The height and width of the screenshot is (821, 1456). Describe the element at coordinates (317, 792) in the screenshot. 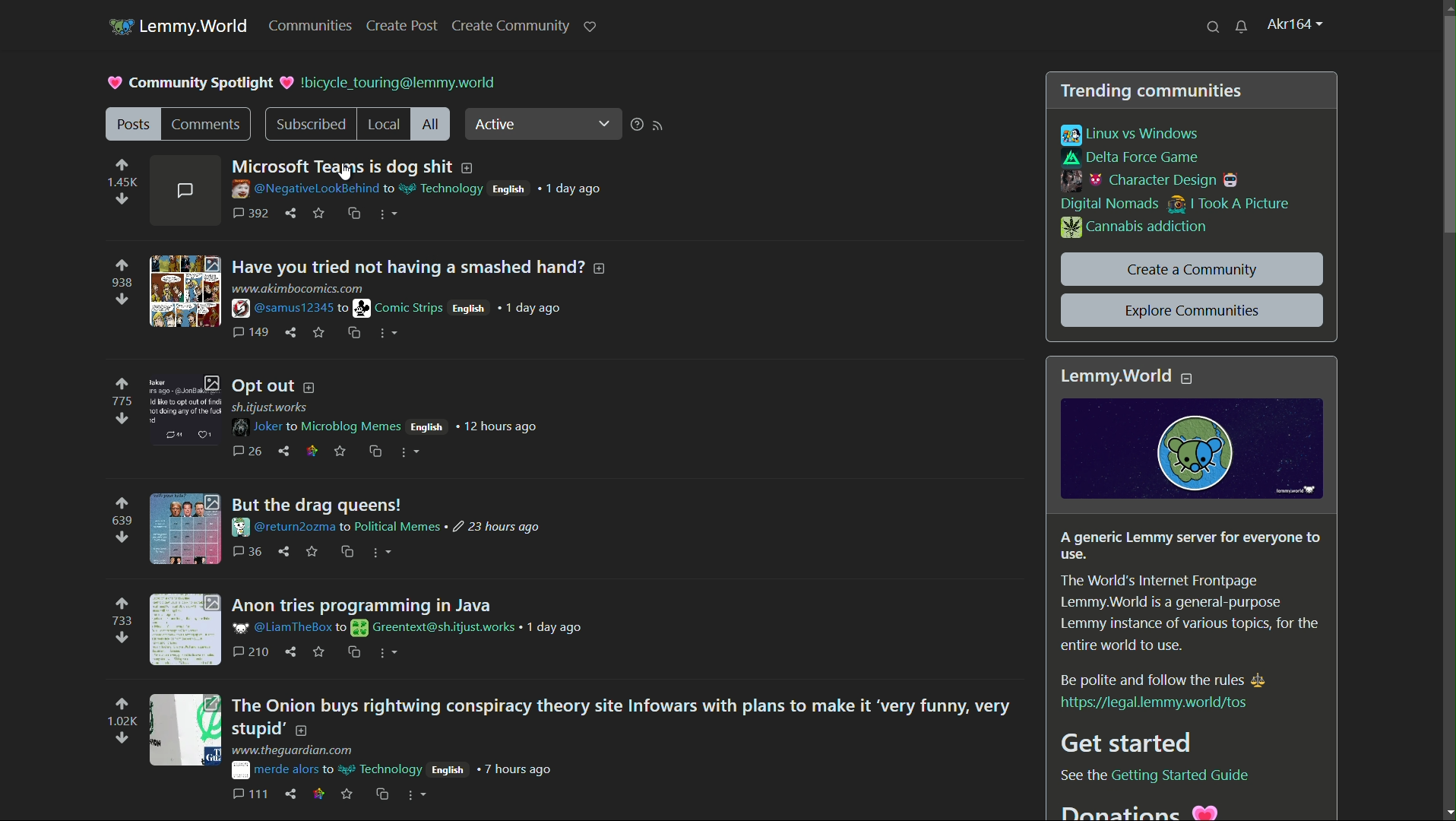

I see `link` at that location.